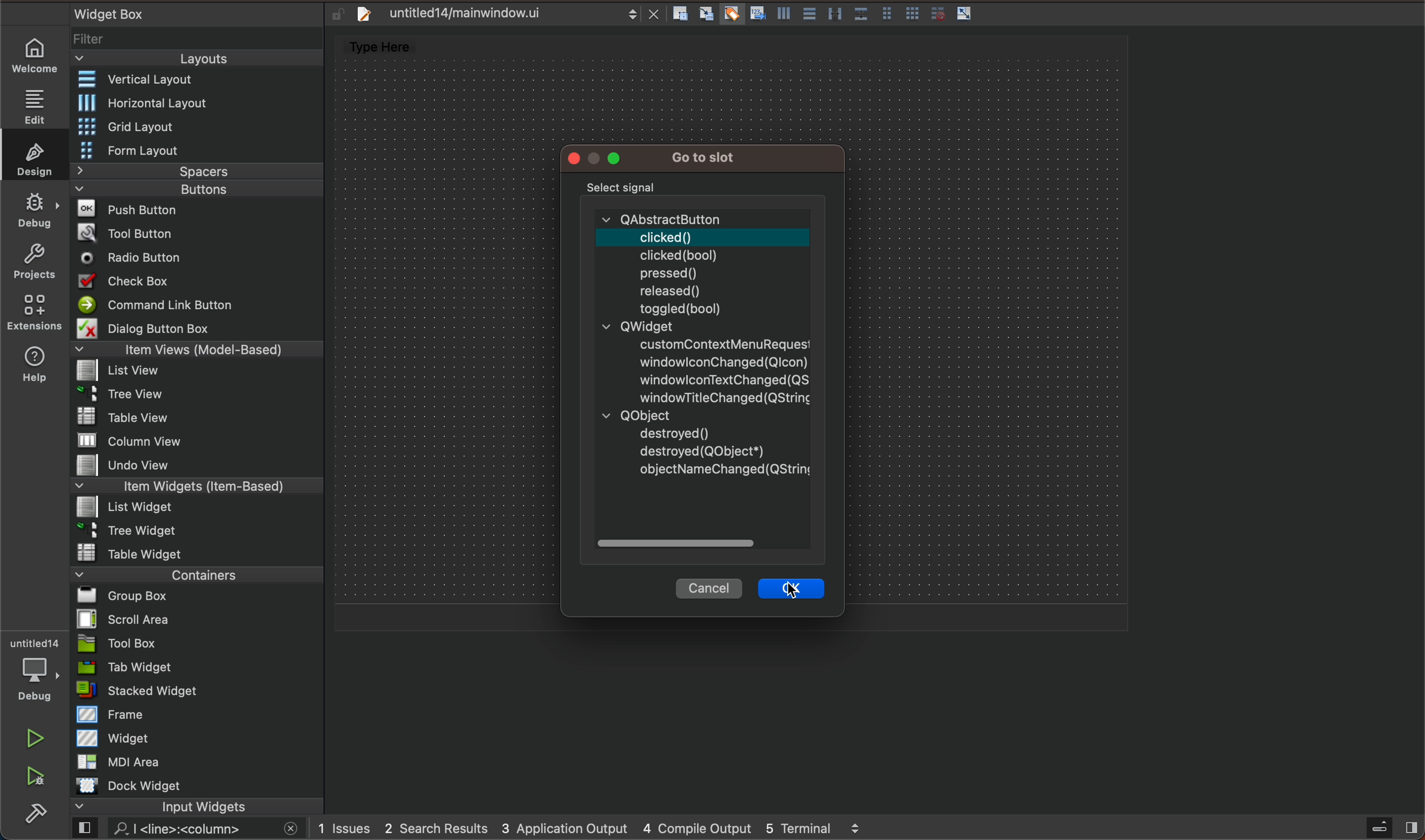 The image size is (1425, 840). What do you see at coordinates (33, 738) in the screenshot?
I see `run` at bounding box center [33, 738].